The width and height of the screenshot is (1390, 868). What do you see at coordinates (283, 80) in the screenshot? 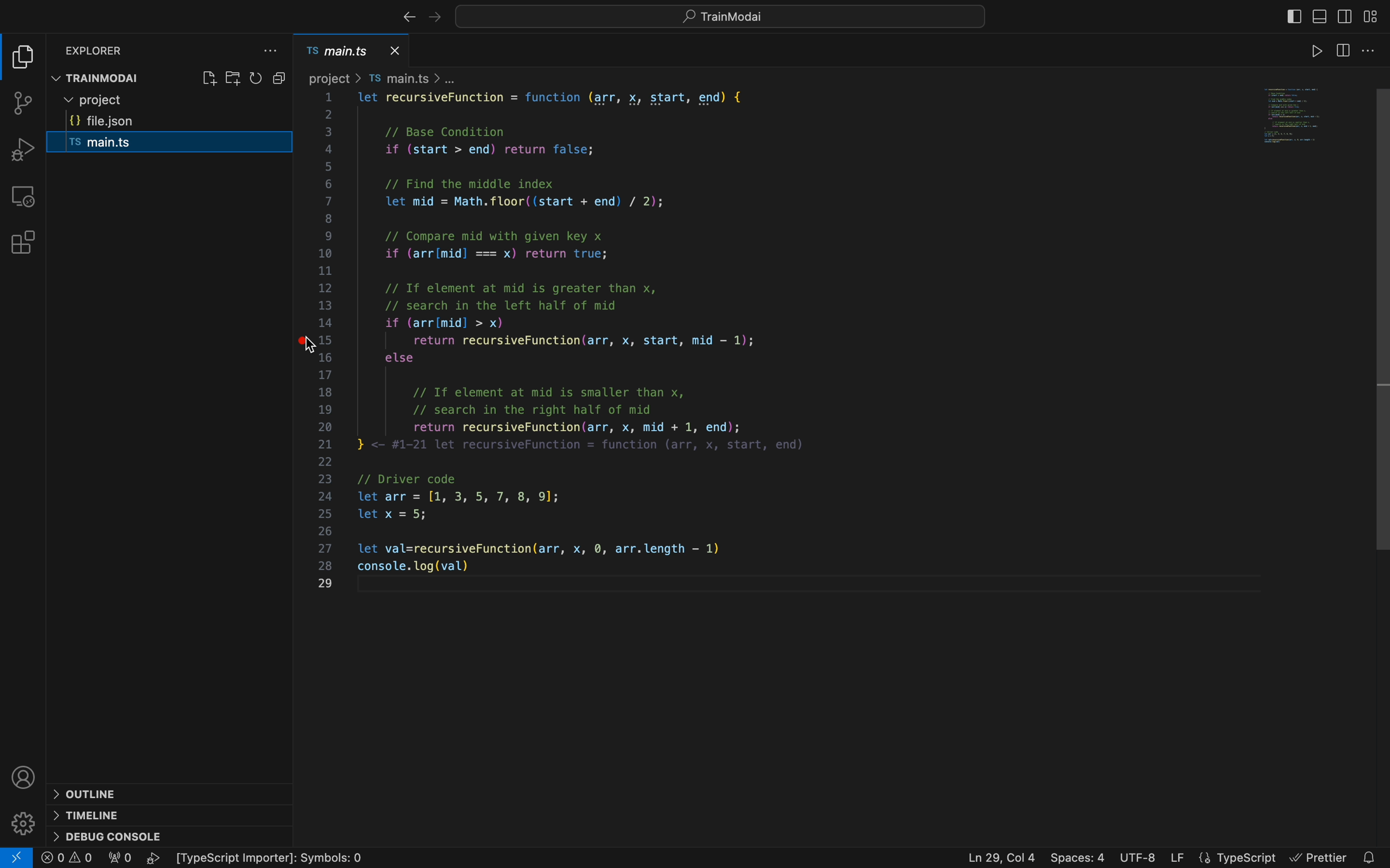
I see `` at bounding box center [283, 80].